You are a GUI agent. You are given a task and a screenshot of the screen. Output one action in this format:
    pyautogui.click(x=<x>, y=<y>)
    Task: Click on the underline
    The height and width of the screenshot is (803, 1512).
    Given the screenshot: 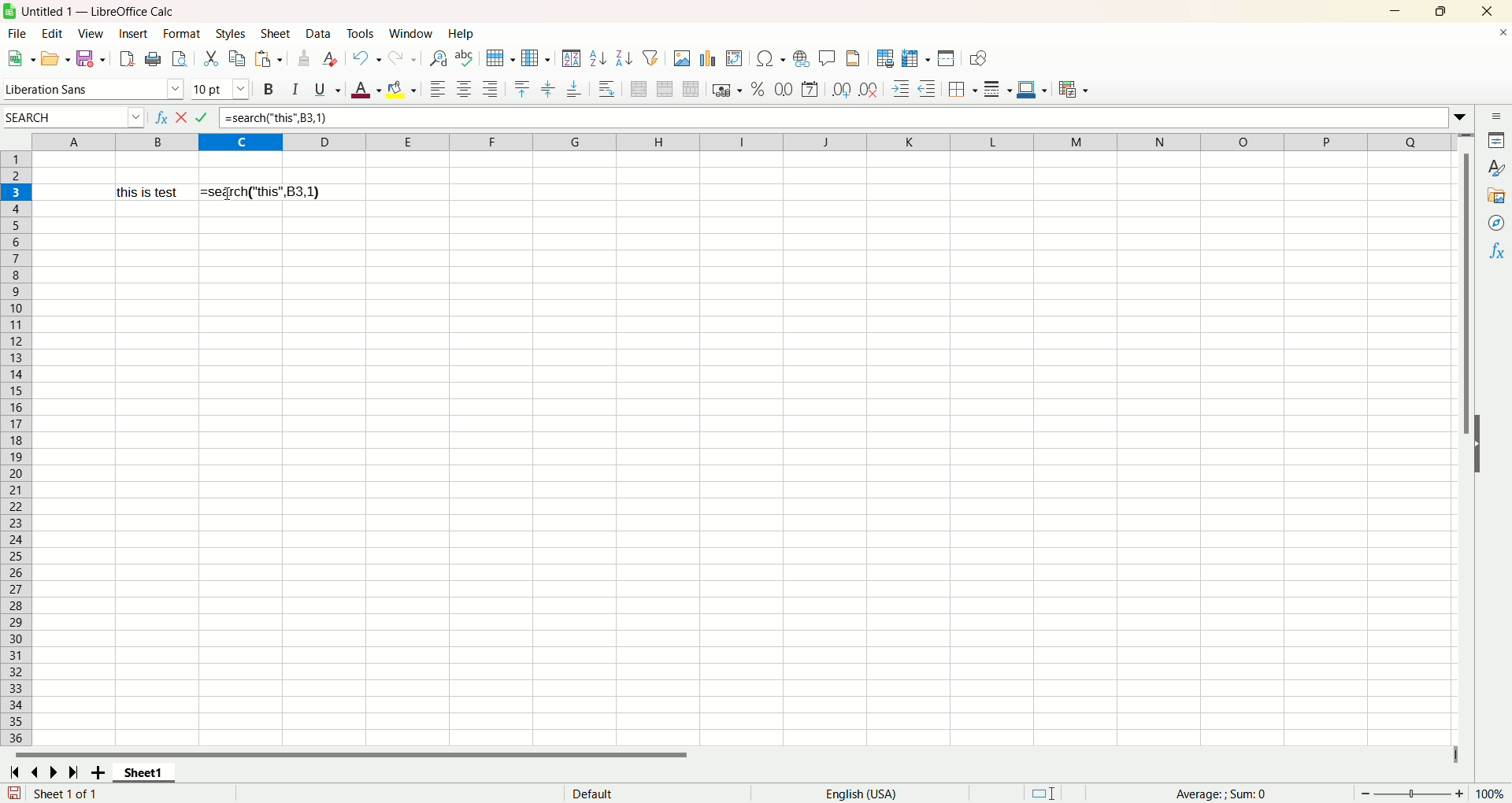 What is the action you would take?
    pyautogui.click(x=326, y=88)
    